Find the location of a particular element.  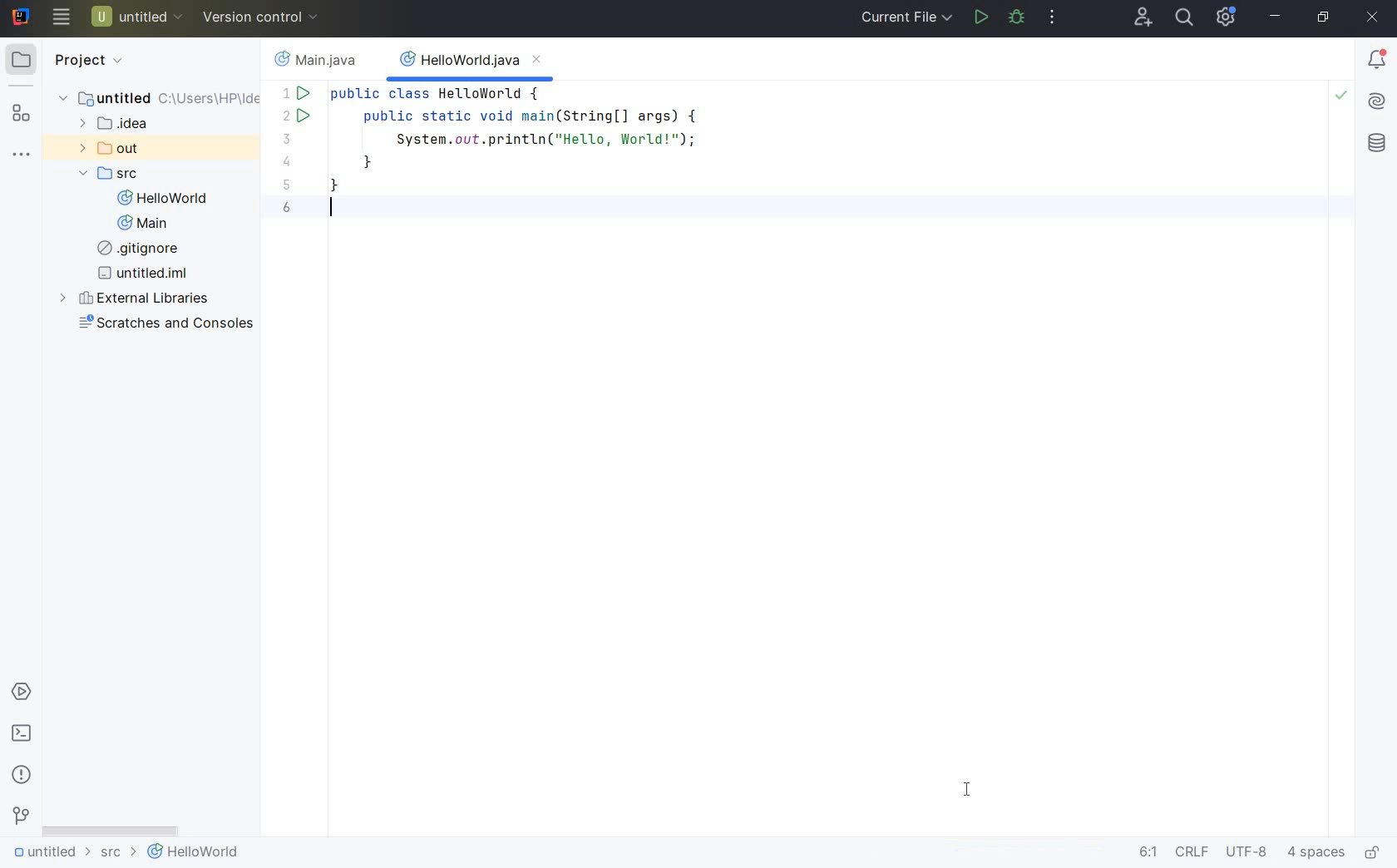

CURRENT FILE is located at coordinates (906, 19).